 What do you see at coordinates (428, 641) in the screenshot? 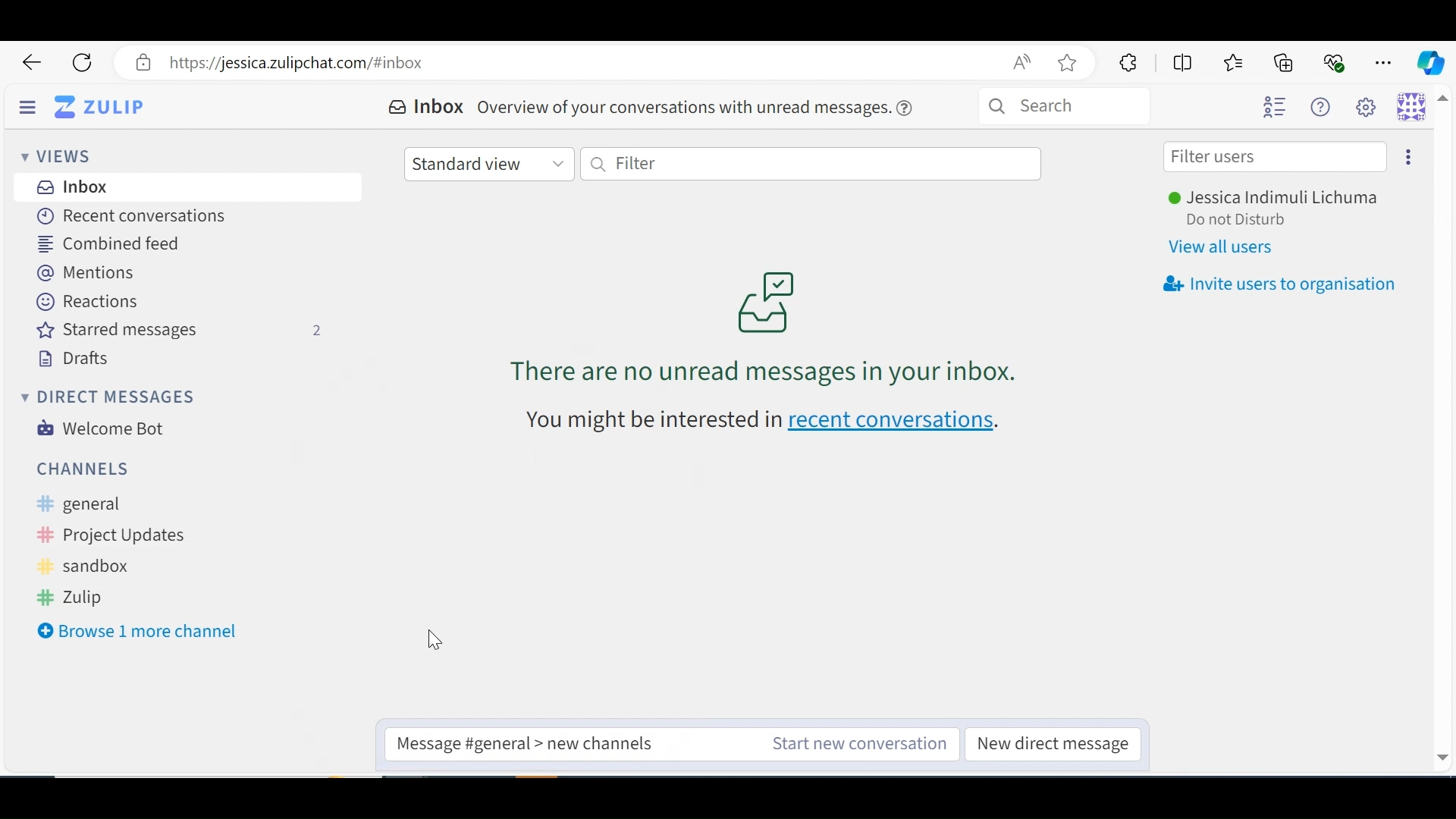
I see `cursor` at bounding box center [428, 641].